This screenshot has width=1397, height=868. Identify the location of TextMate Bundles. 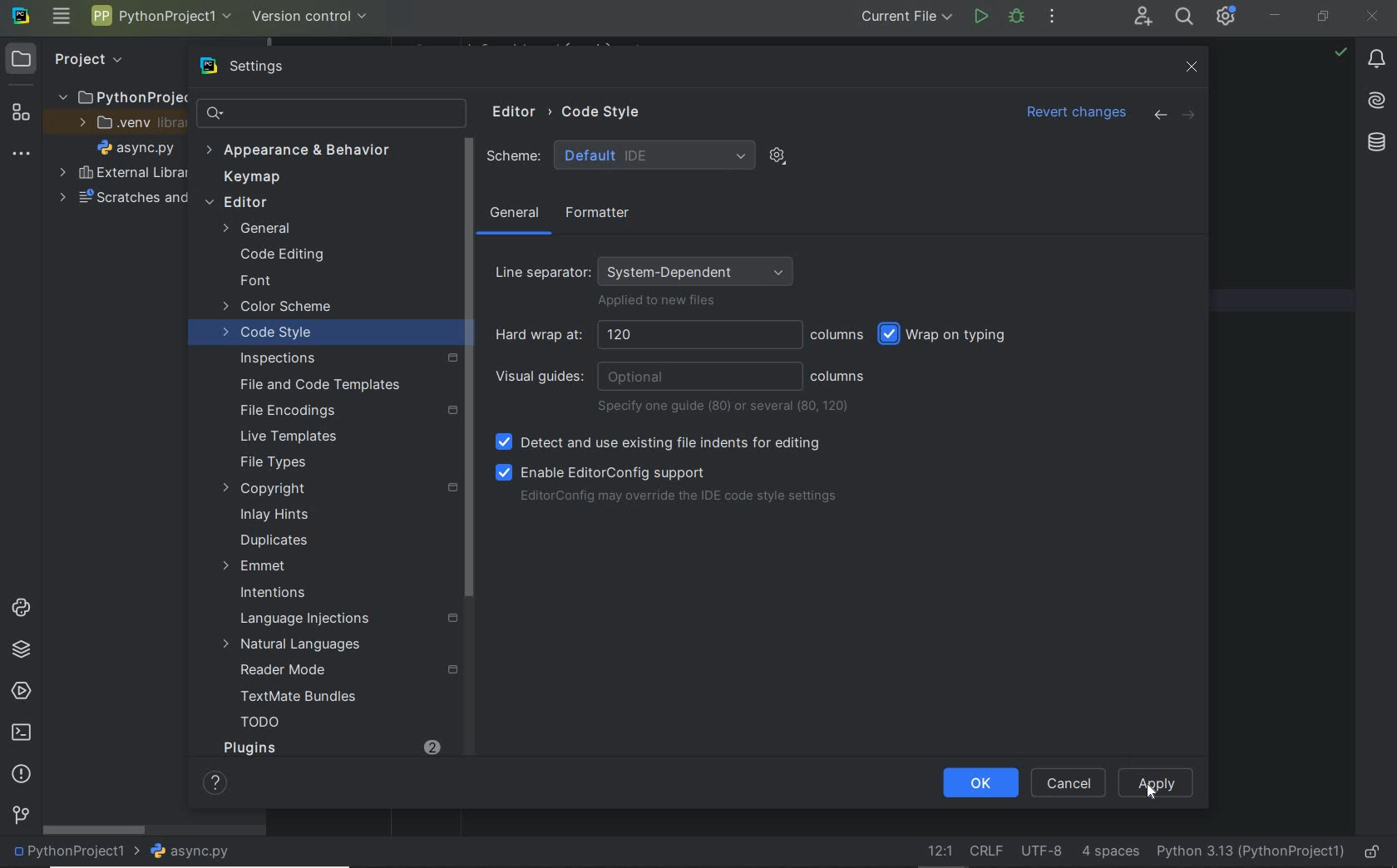
(293, 698).